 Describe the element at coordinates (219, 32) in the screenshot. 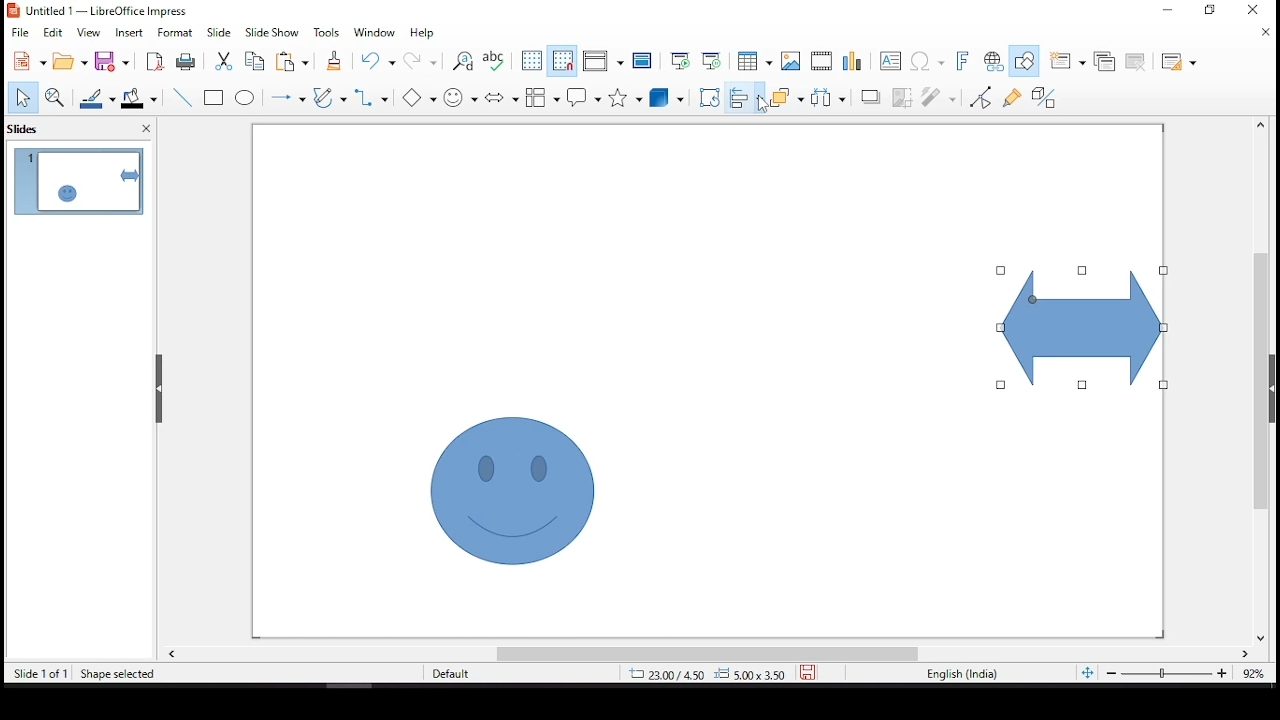

I see `slide` at that location.